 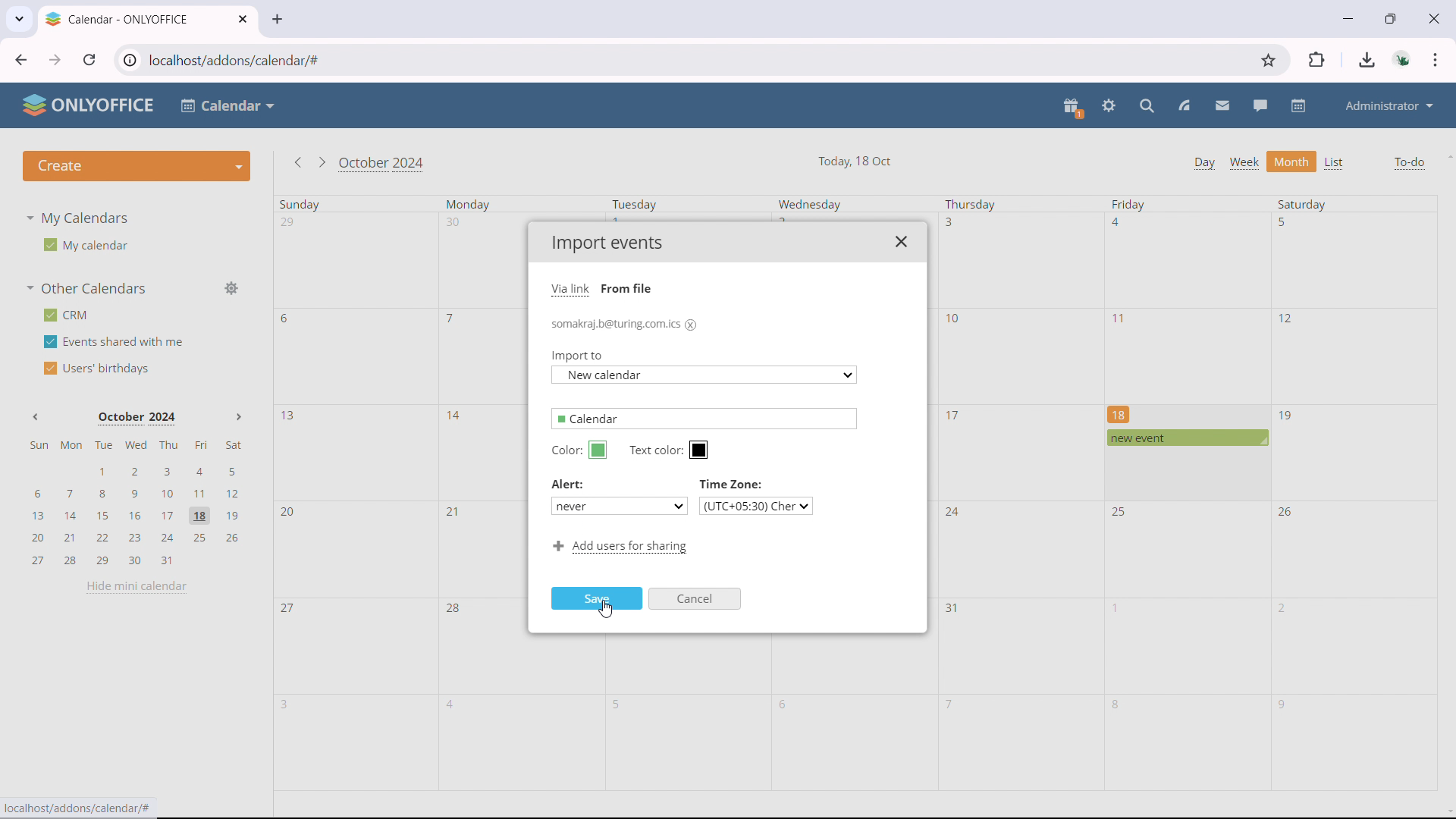 What do you see at coordinates (1073, 108) in the screenshot?
I see `present` at bounding box center [1073, 108].